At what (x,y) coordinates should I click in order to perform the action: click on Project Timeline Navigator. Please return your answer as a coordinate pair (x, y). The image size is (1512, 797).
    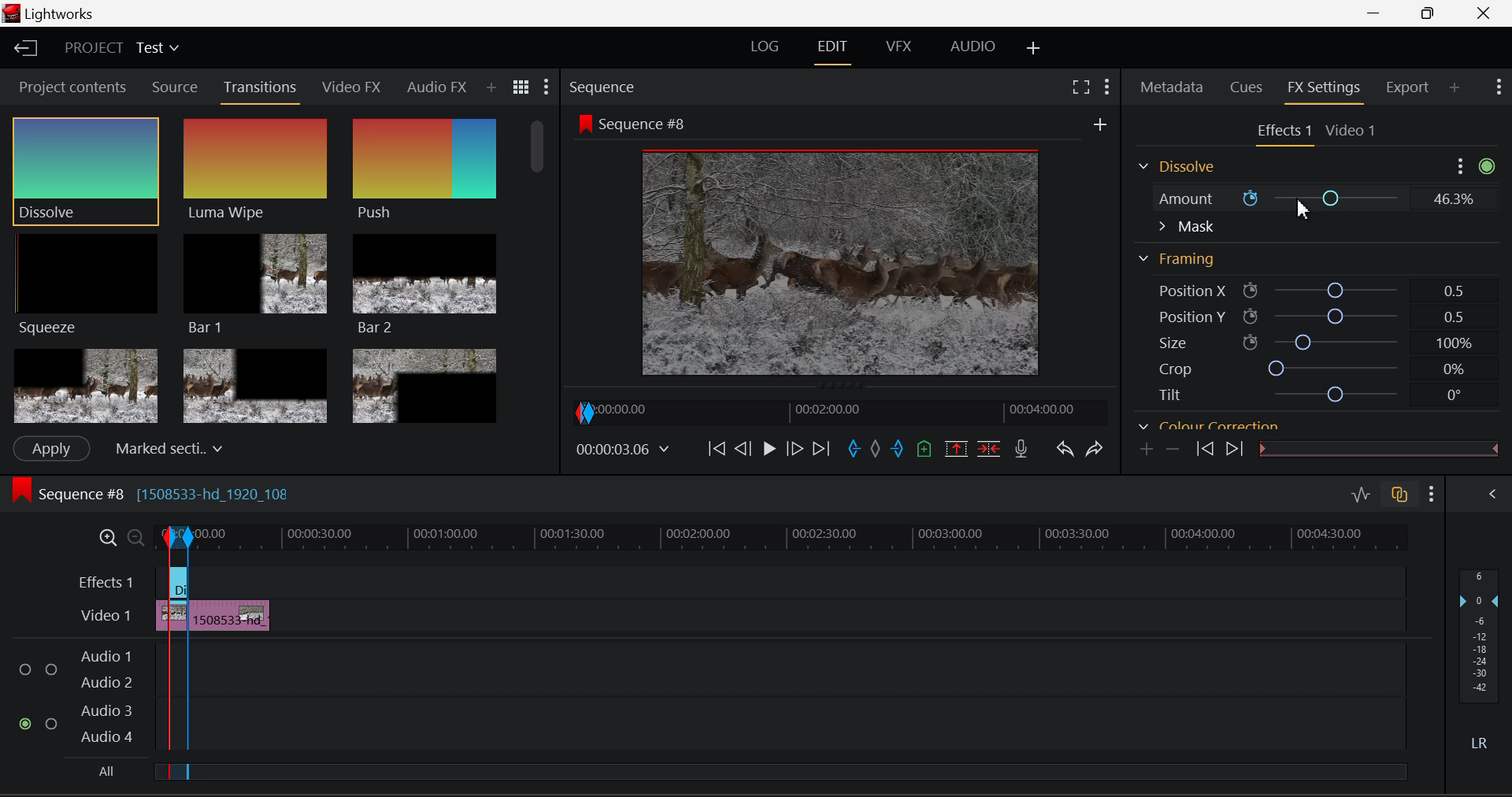
    Looking at the image, I should click on (837, 411).